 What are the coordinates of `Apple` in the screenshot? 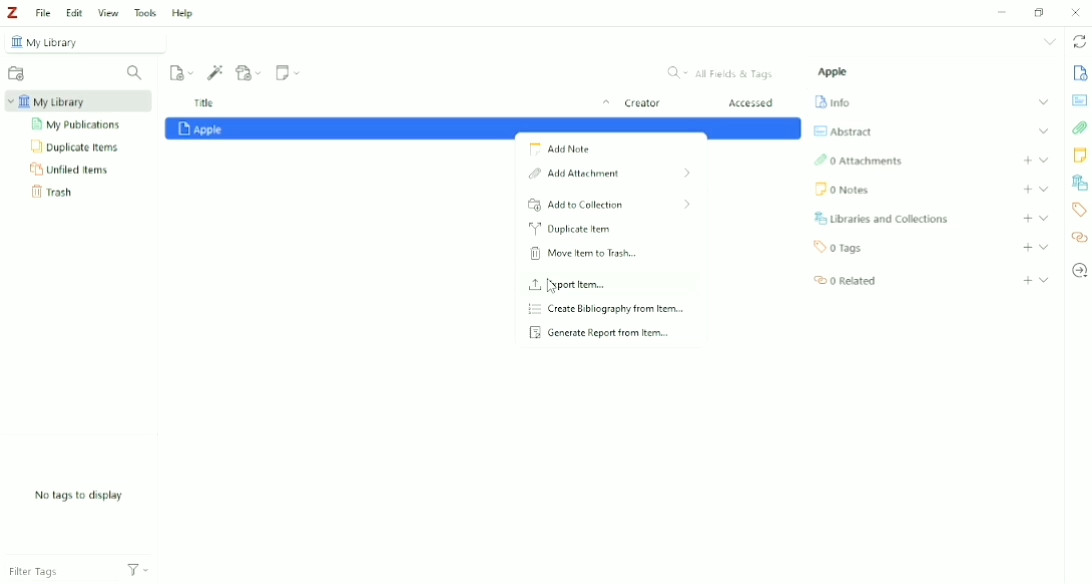 It's located at (484, 129).